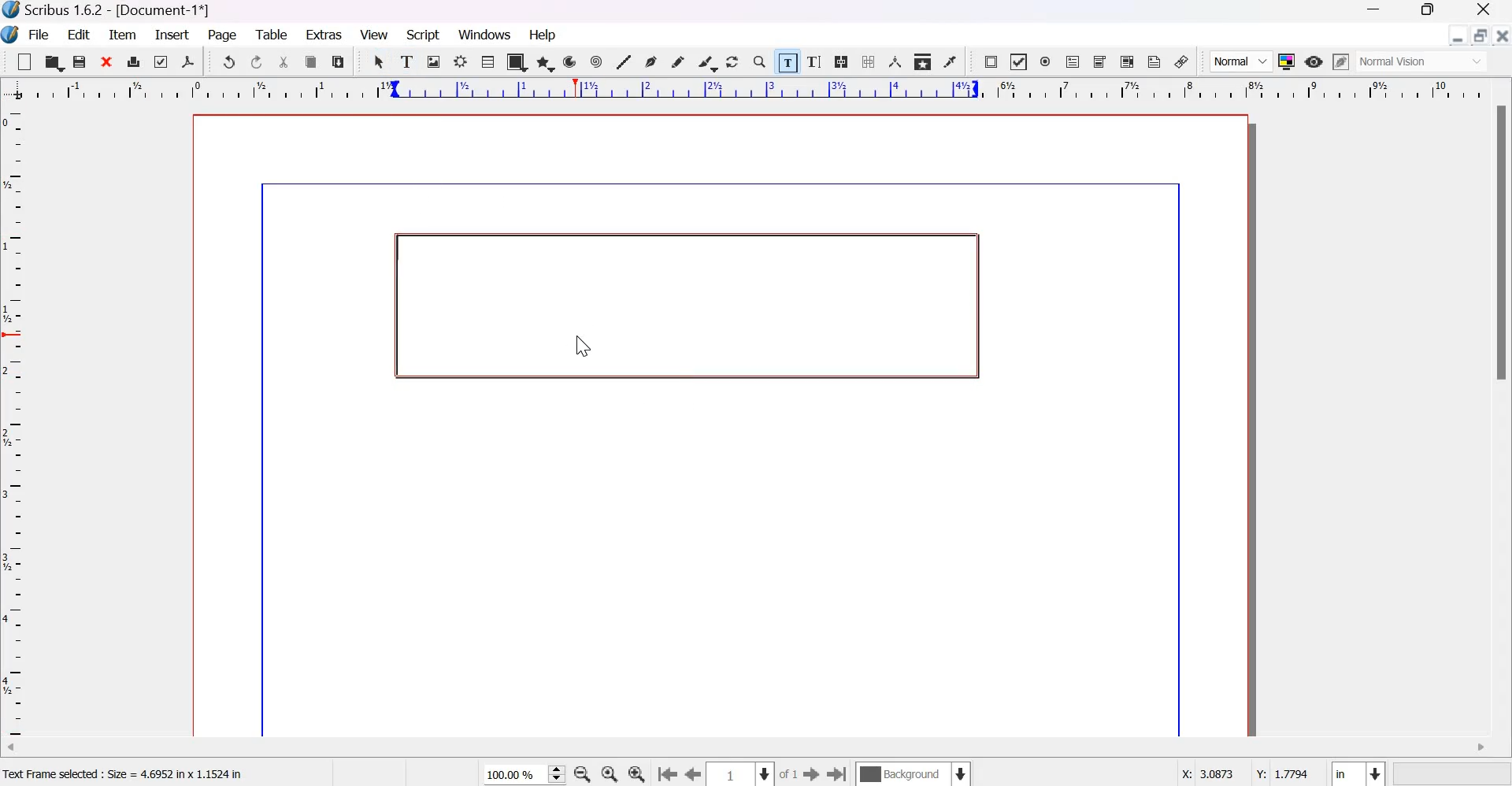  I want to click on PDF check box, so click(1017, 62).